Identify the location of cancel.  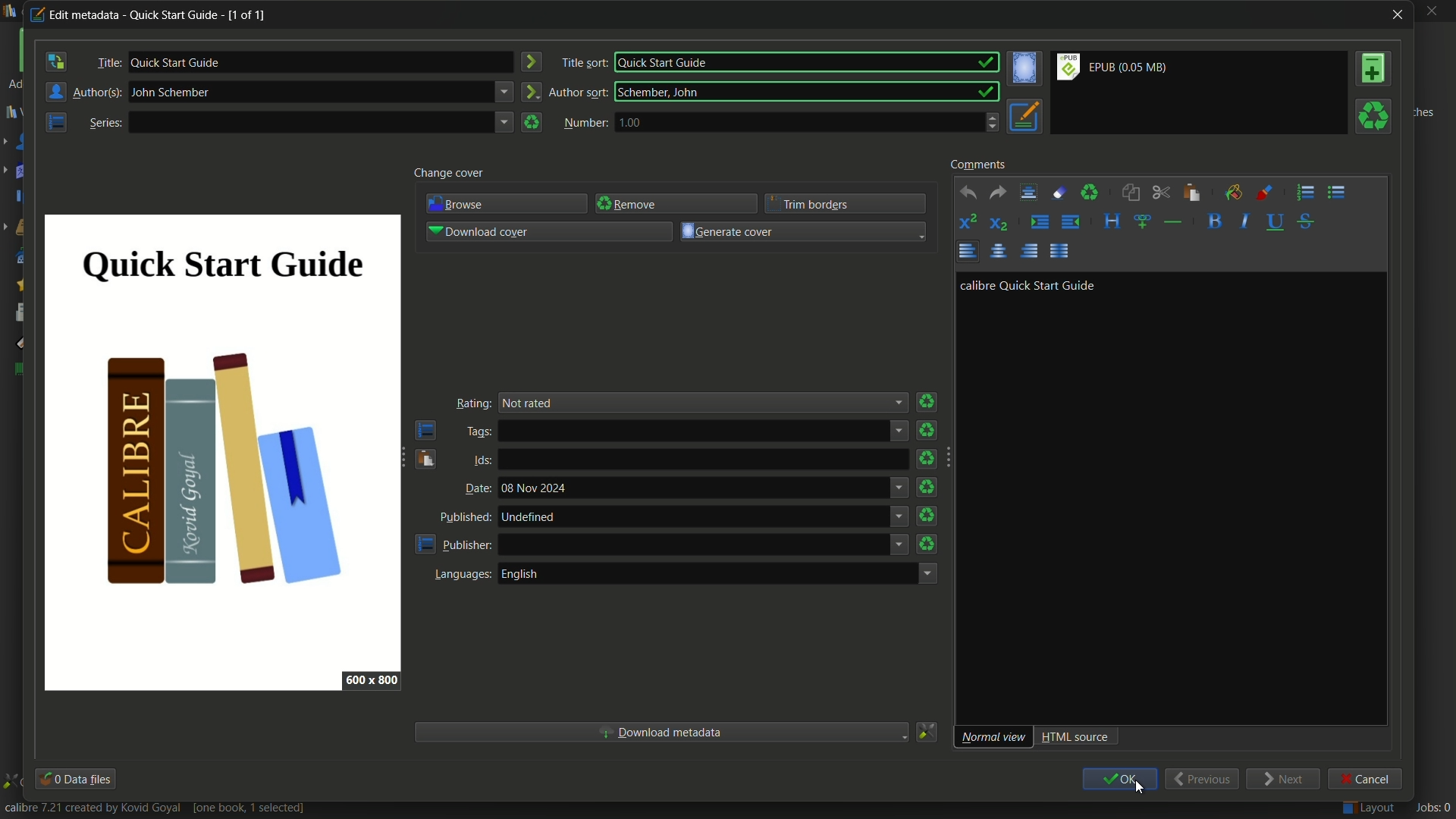
(1370, 779).